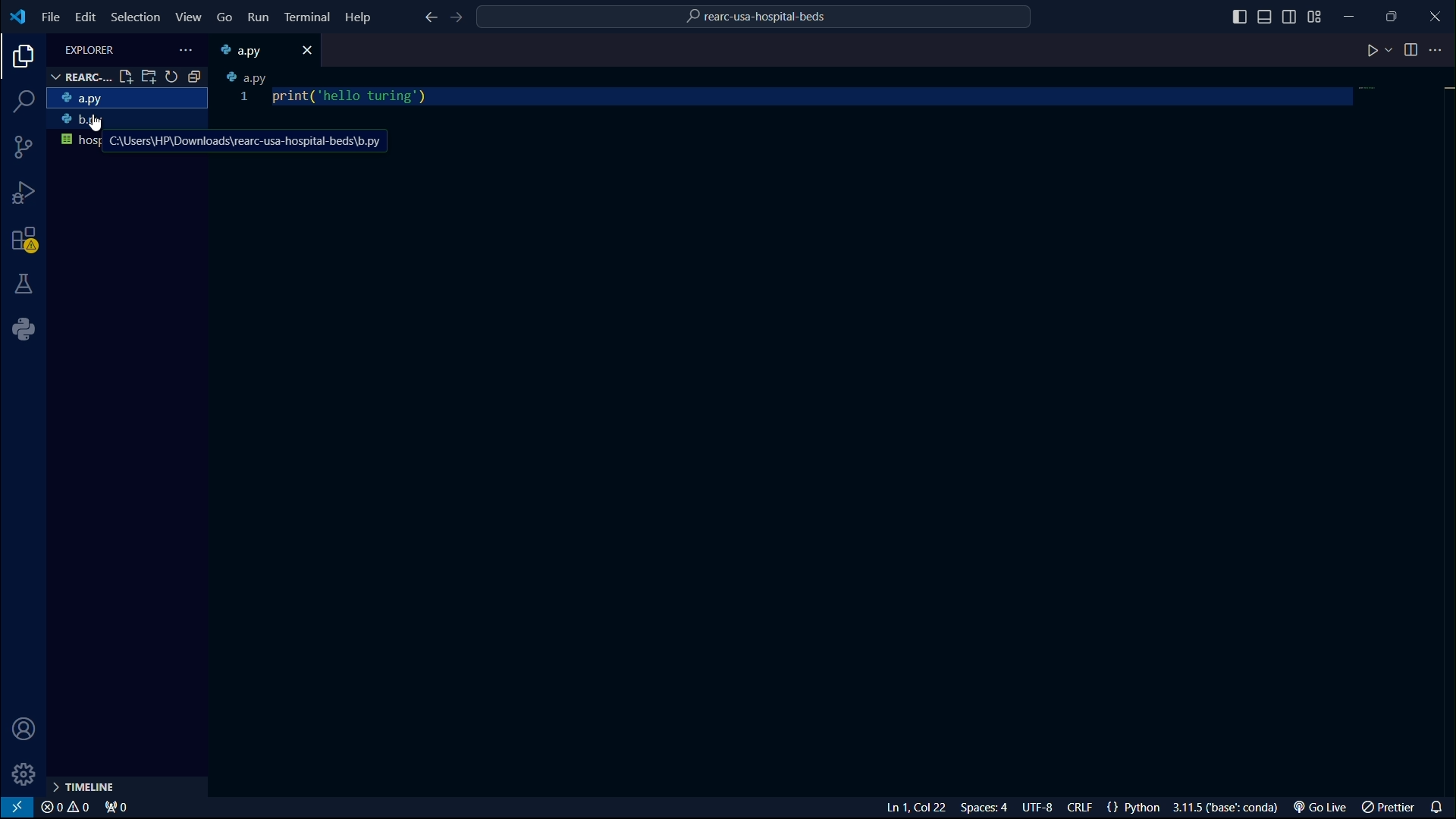 The height and width of the screenshot is (819, 1456). I want to click on account, so click(27, 729).